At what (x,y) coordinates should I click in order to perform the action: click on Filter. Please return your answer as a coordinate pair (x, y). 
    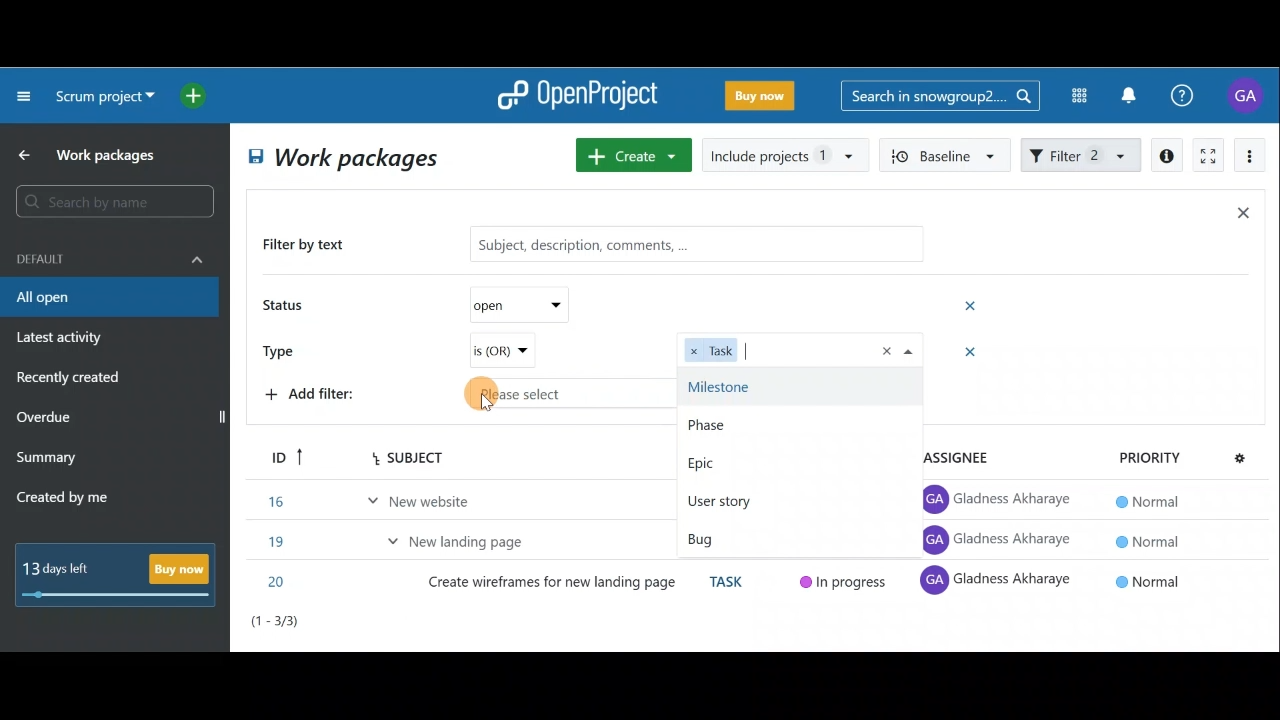
    Looking at the image, I should click on (1082, 153).